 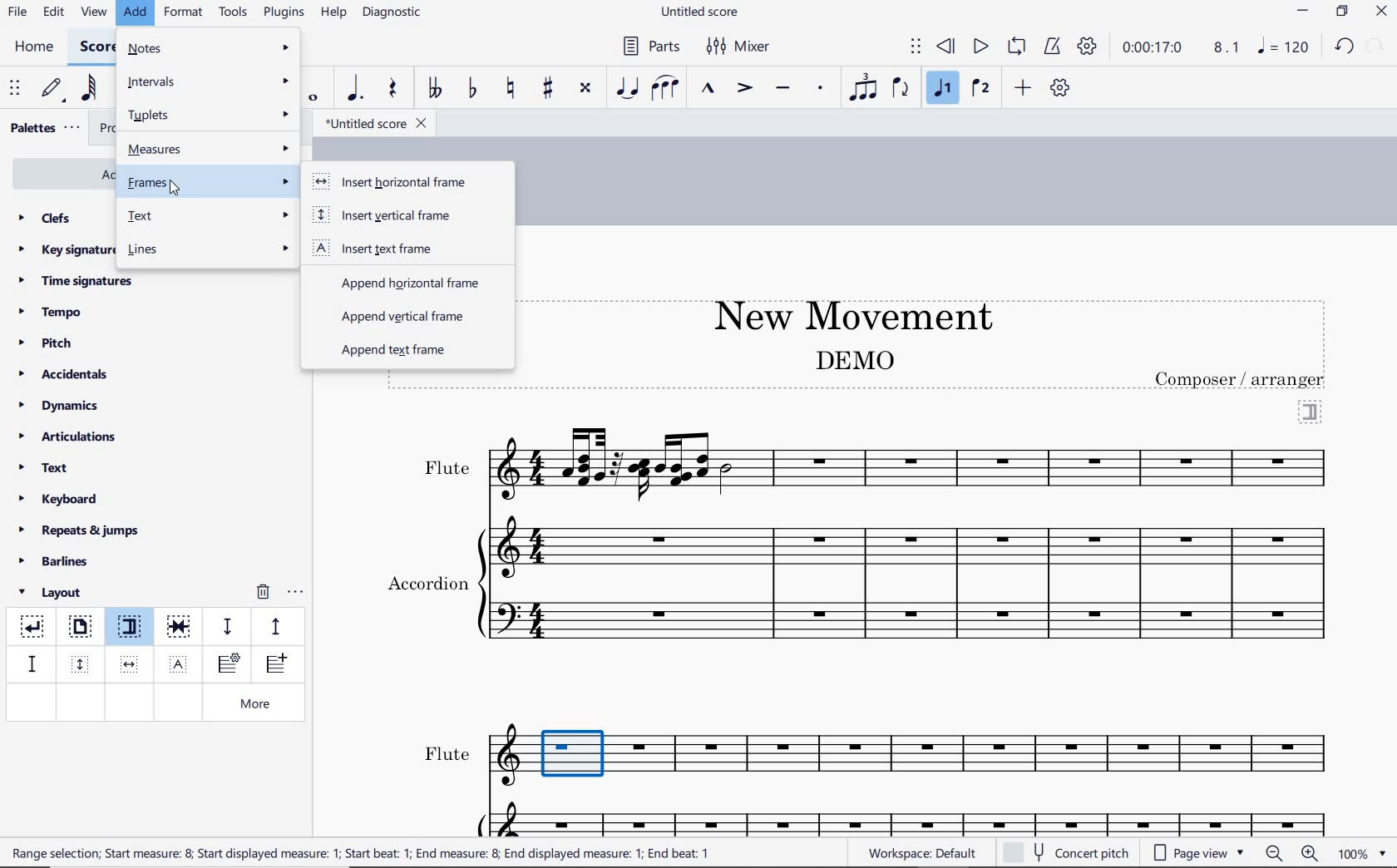 I want to click on plugins, so click(x=284, y=13).